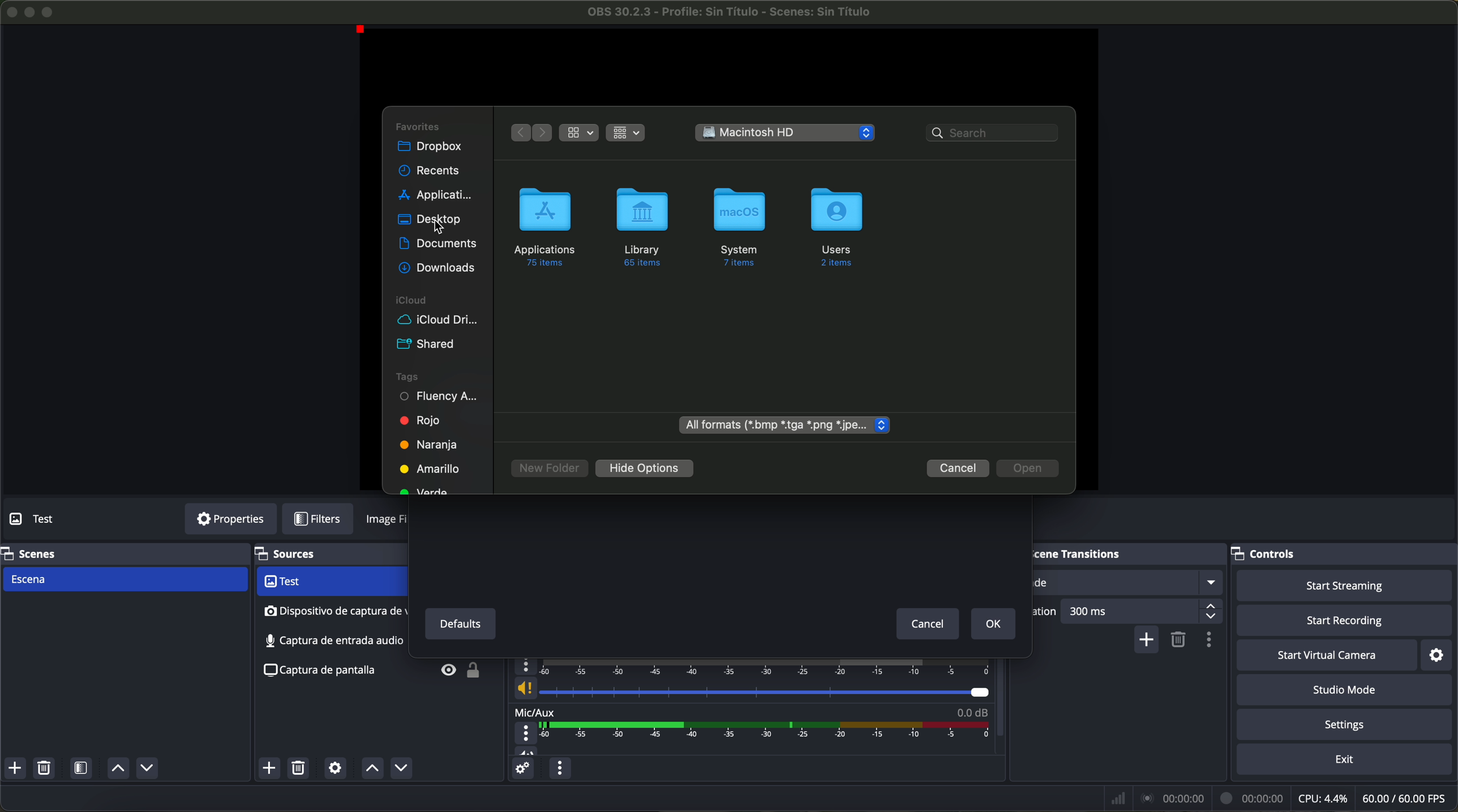 The image size is (1458, 812). What do you see at coordinates (428, 488) in the screenshot?
I see `green` at bounding box center [428, 488].